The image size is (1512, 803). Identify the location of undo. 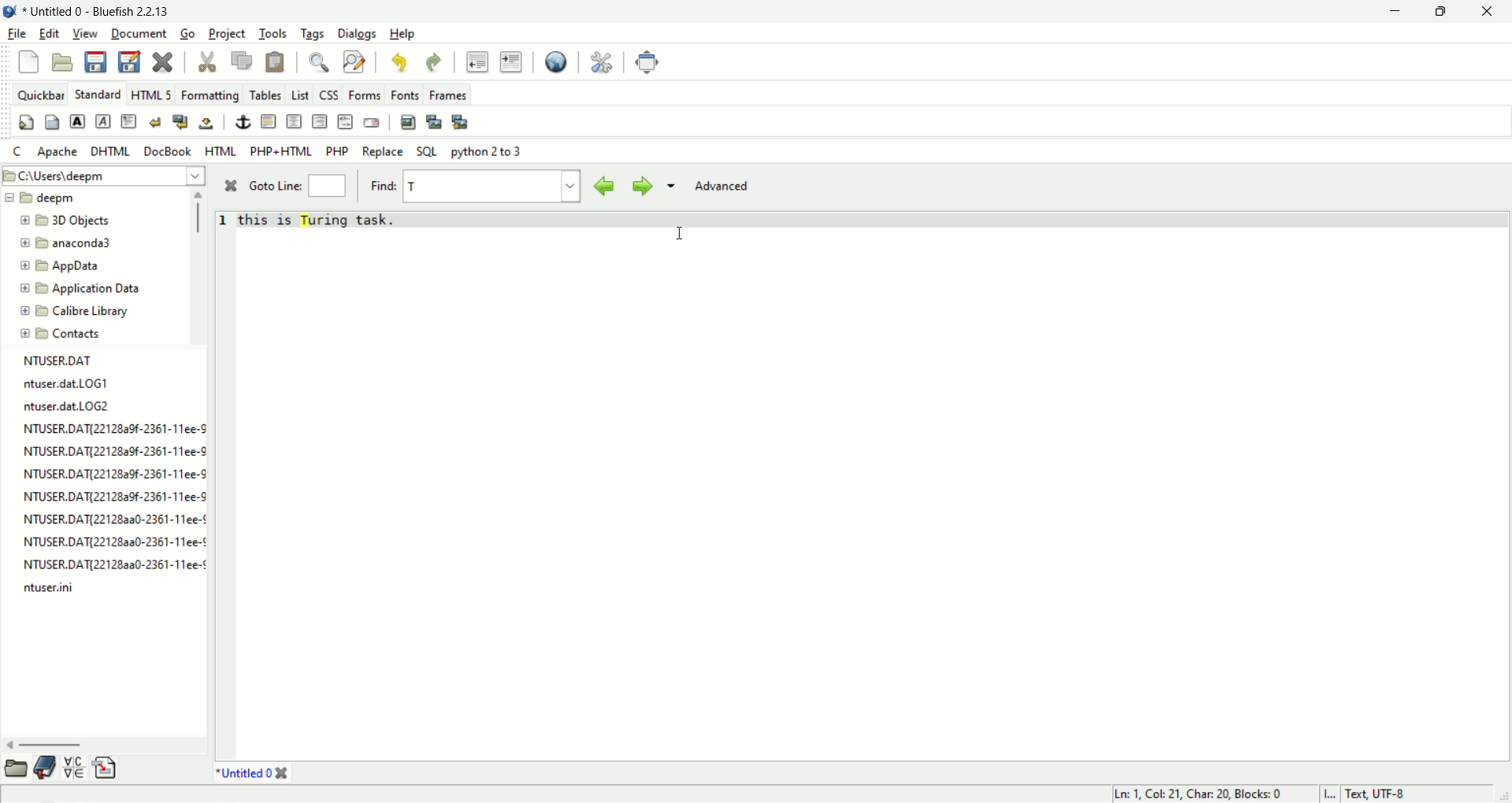
(398, 64).